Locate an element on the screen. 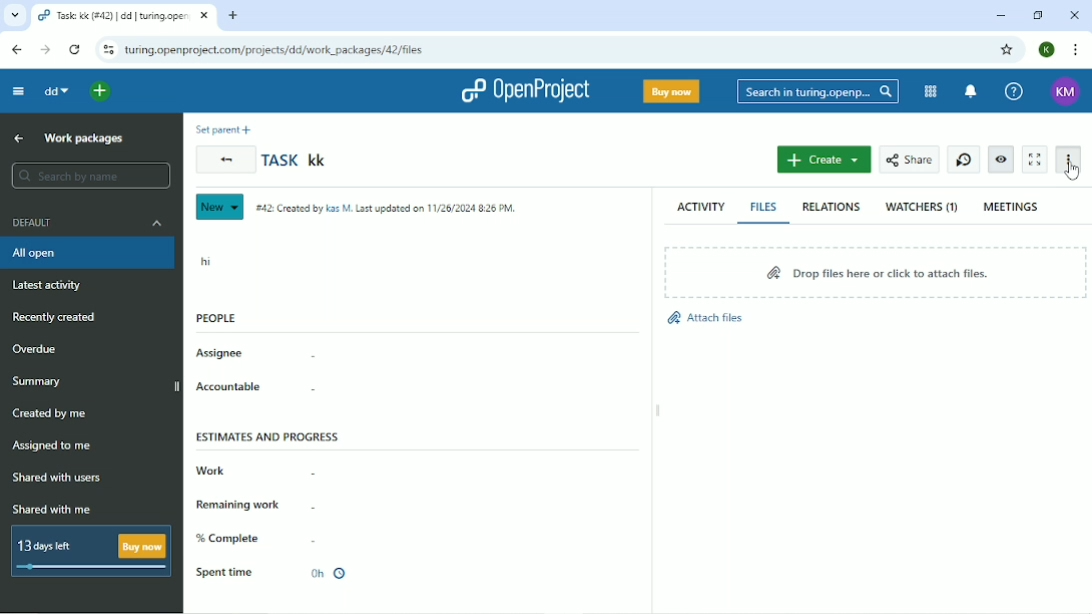  Restore down is located at coordinates (1038, 15).